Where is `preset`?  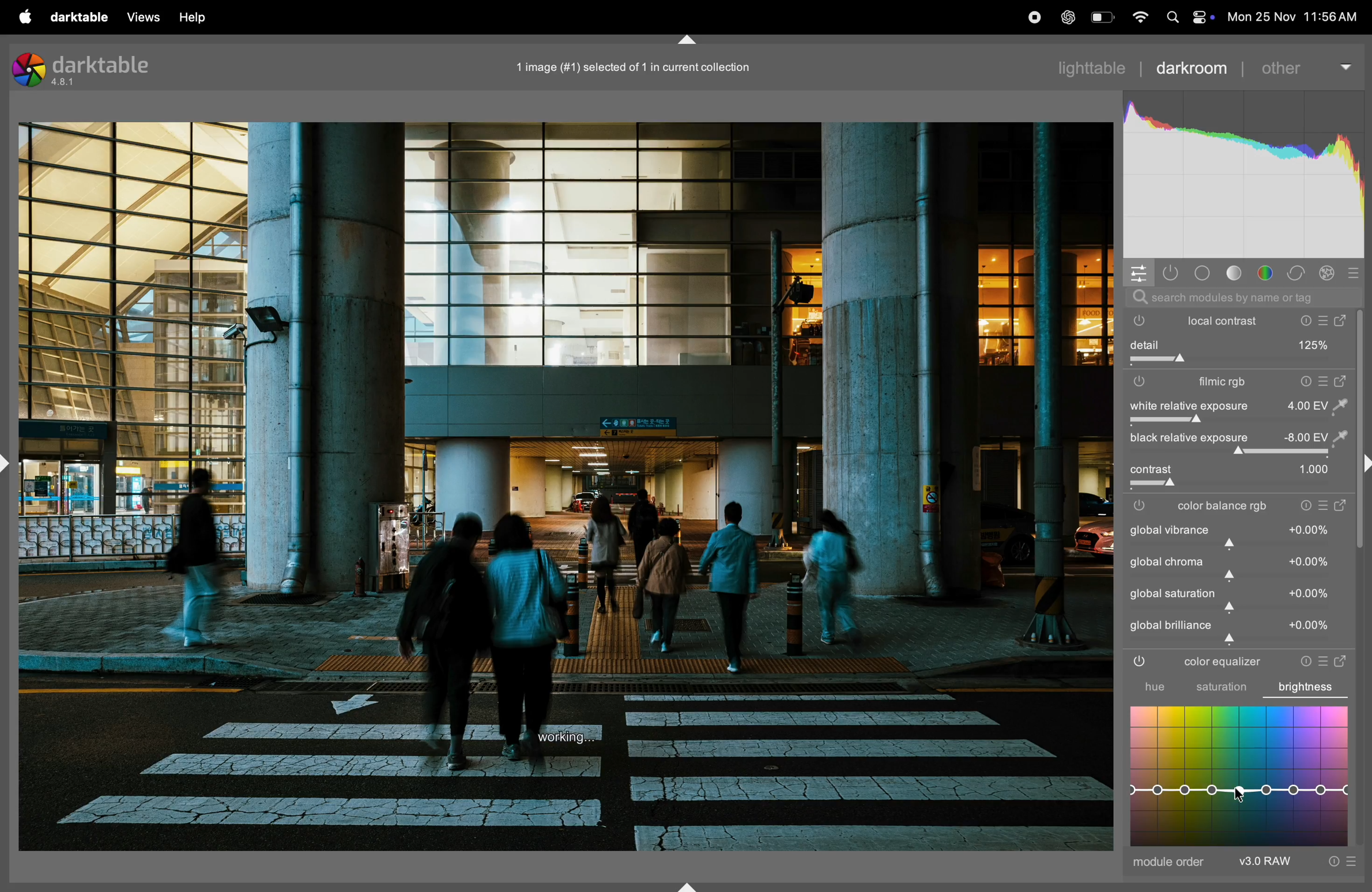
preset is located at coordinates (1354, 271).